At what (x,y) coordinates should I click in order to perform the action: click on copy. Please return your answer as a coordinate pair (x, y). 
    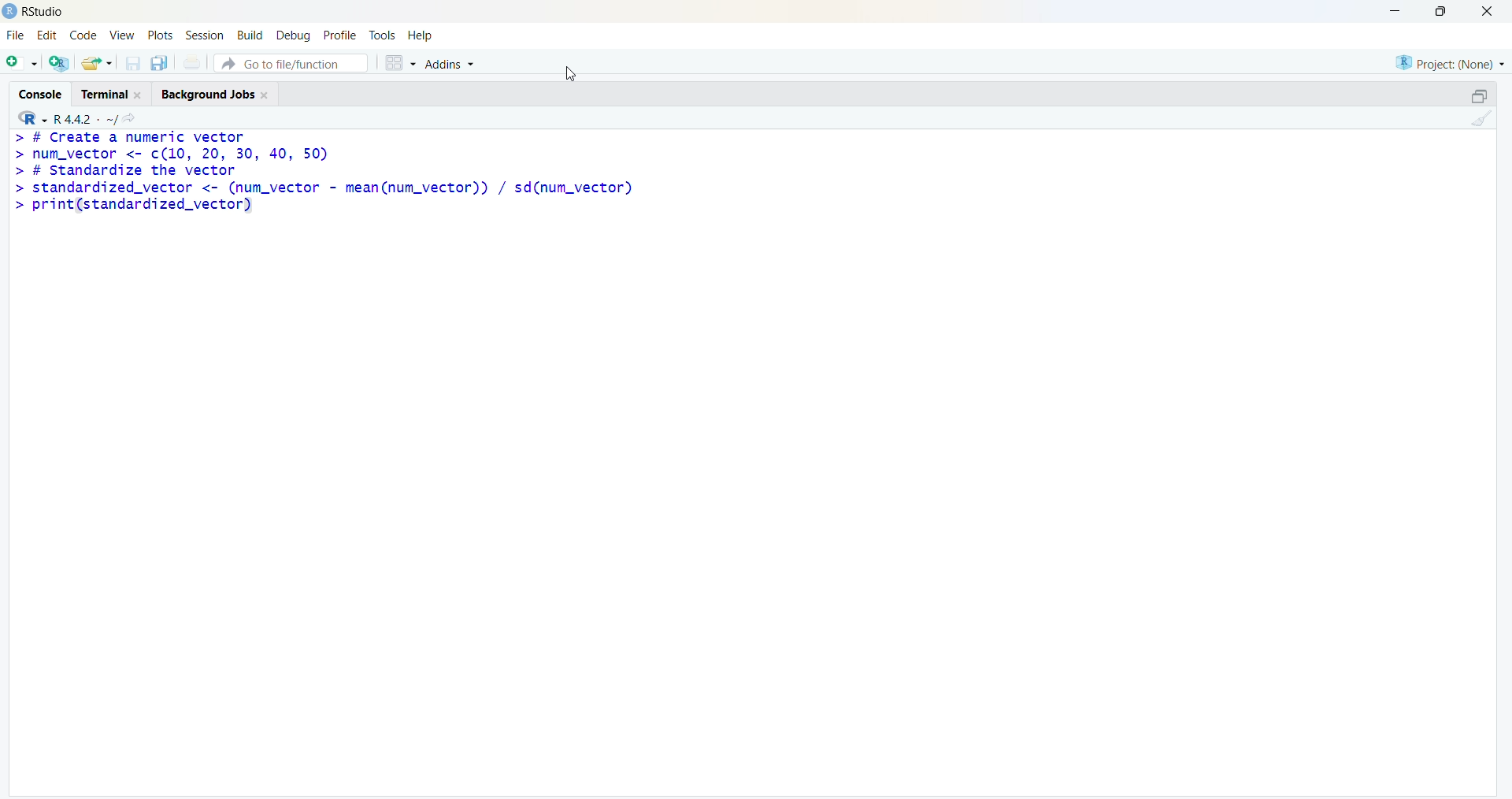
    Looking at the image, I should click on (159, 63).